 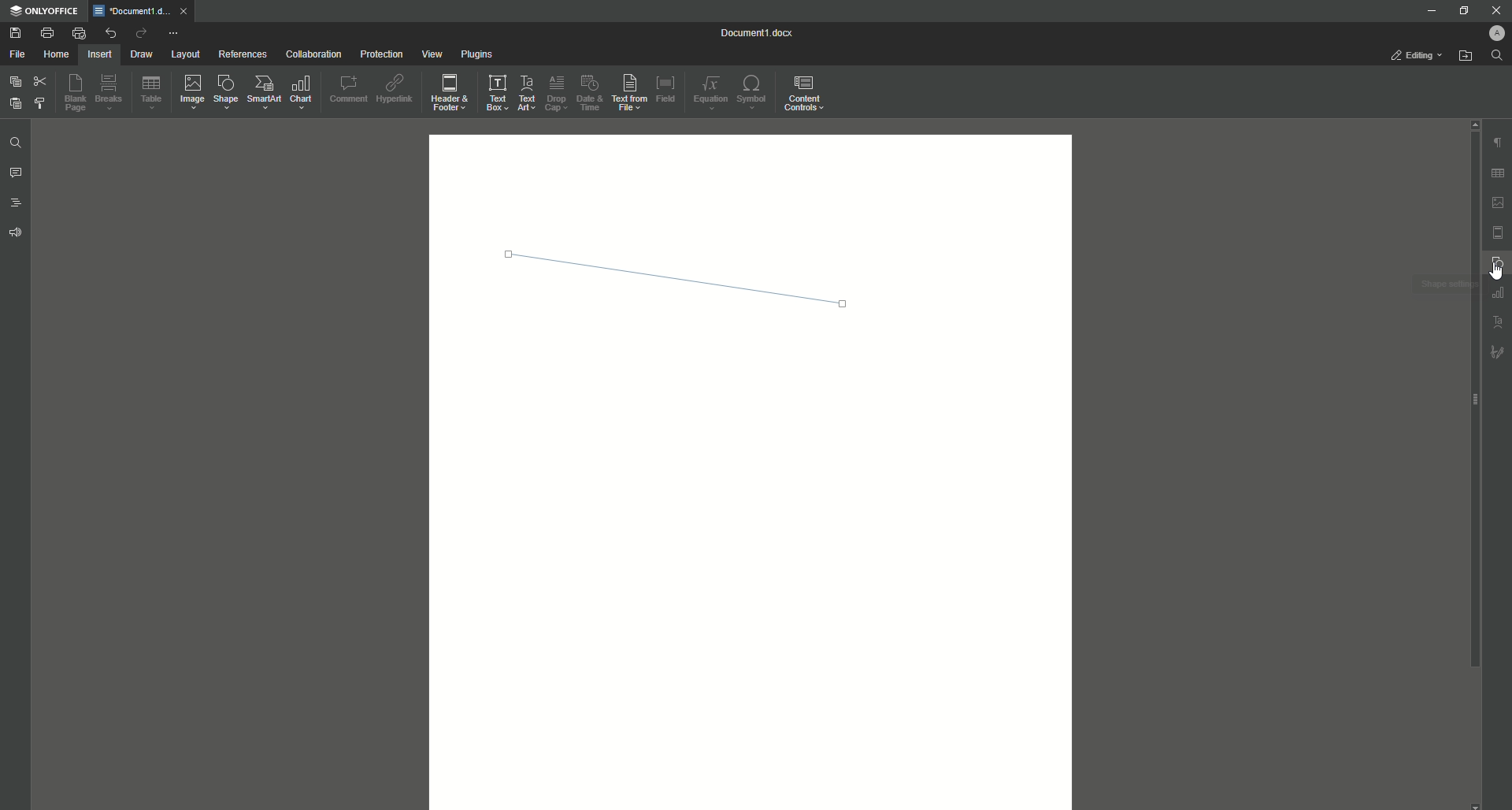 What do you see at coordinates (56, 55) in the screenshot?
I see `Home` at bounding box center [56, 55].